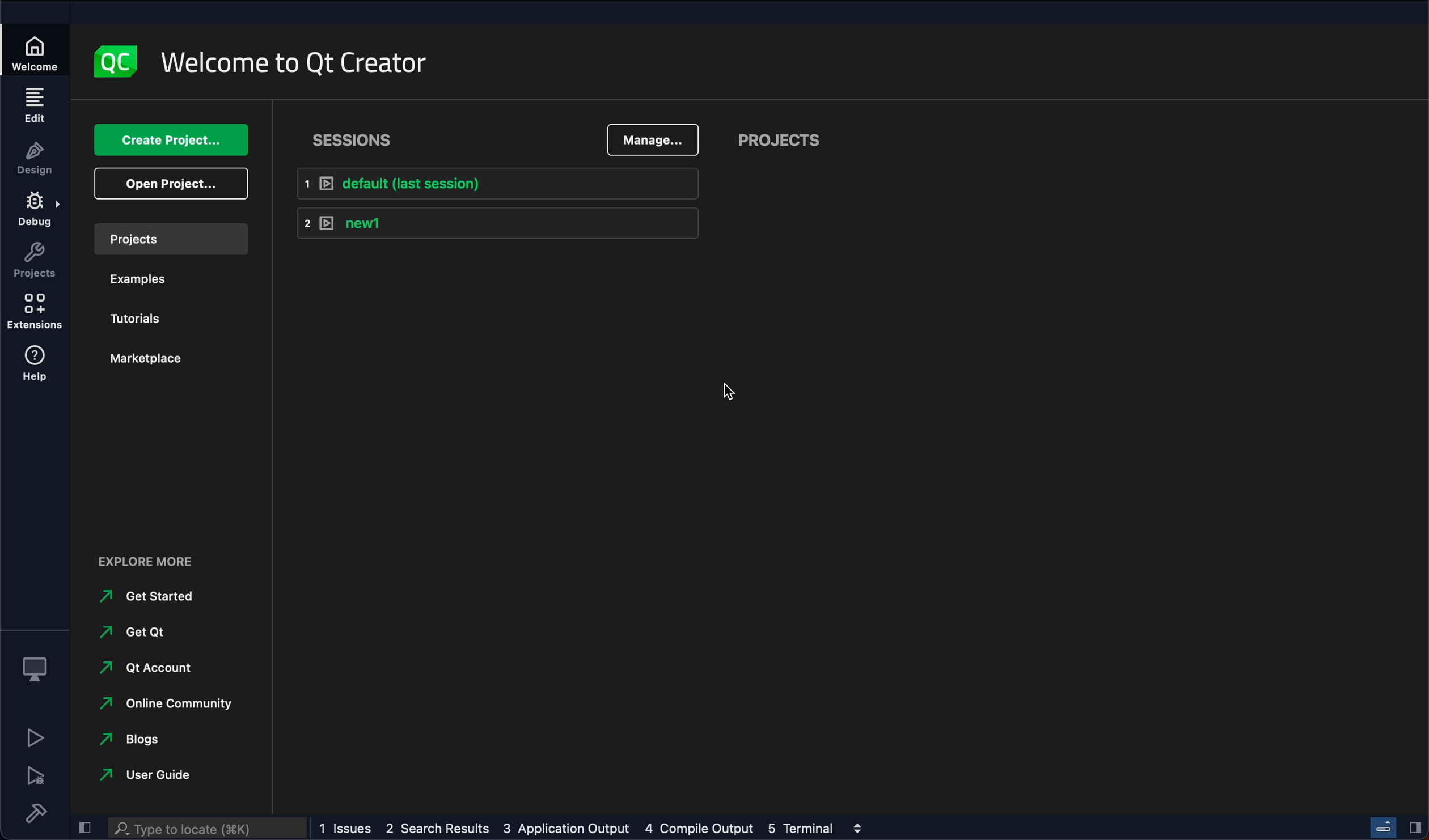  What do you see at coordinates (34, 213) in the screenshot?
I see `debug` at bounding box center [34, 213].